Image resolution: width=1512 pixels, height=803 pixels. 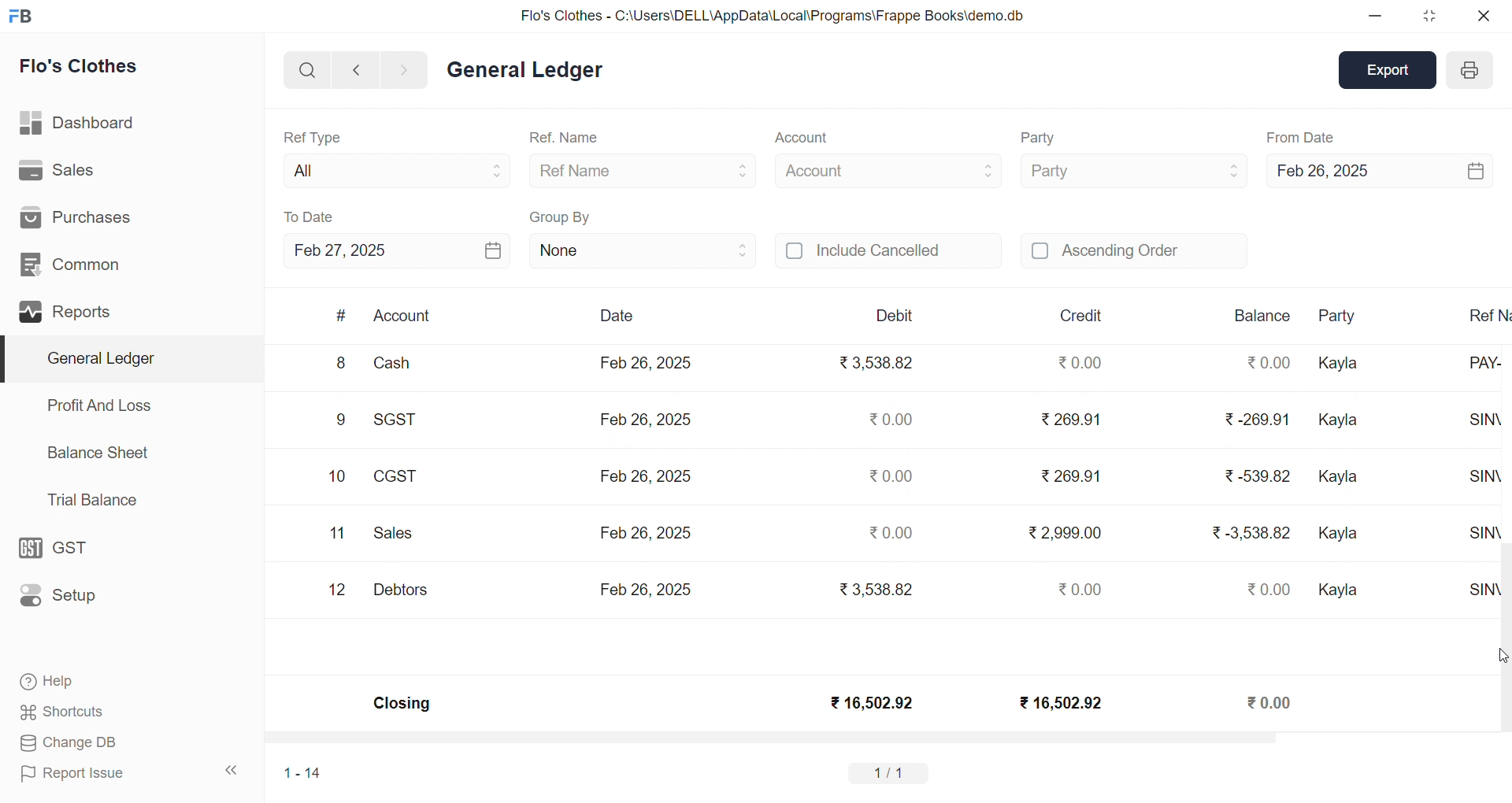 I want to click on NAVIGATE BACKWARD, so click(x=355, y=68).